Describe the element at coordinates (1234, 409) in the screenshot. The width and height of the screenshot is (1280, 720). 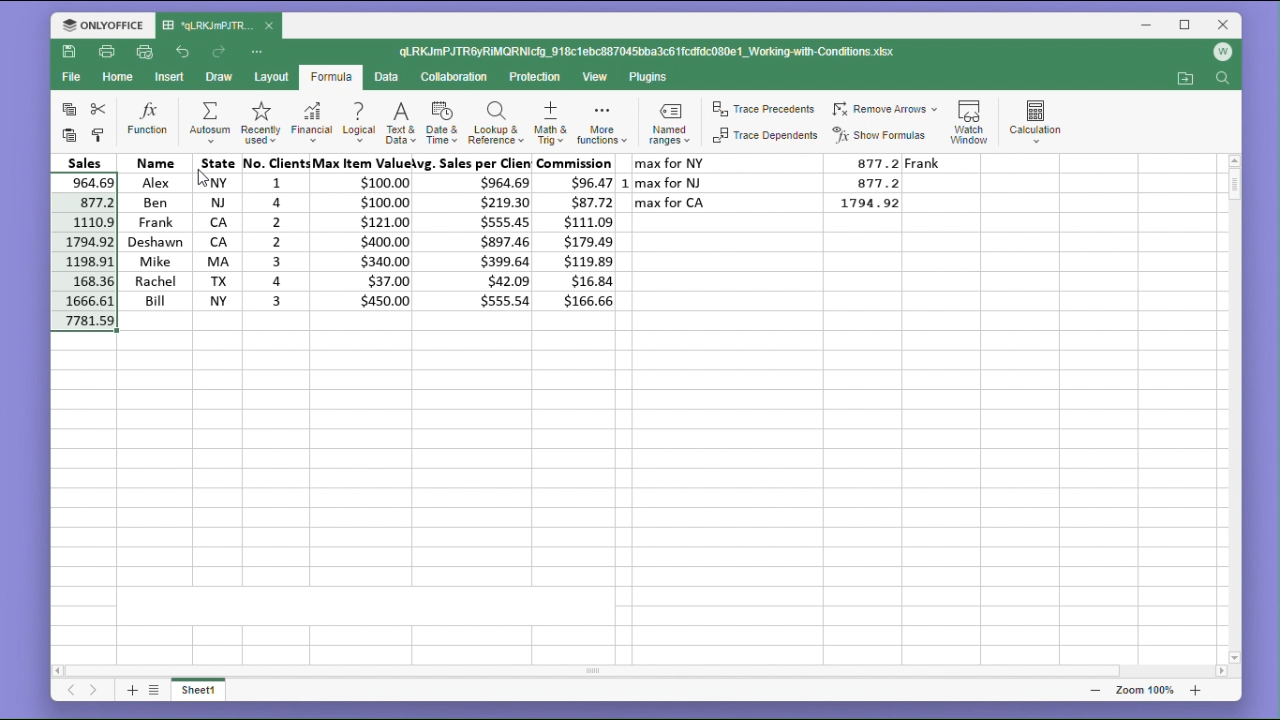
I see `vertical scroll bar` at that location.